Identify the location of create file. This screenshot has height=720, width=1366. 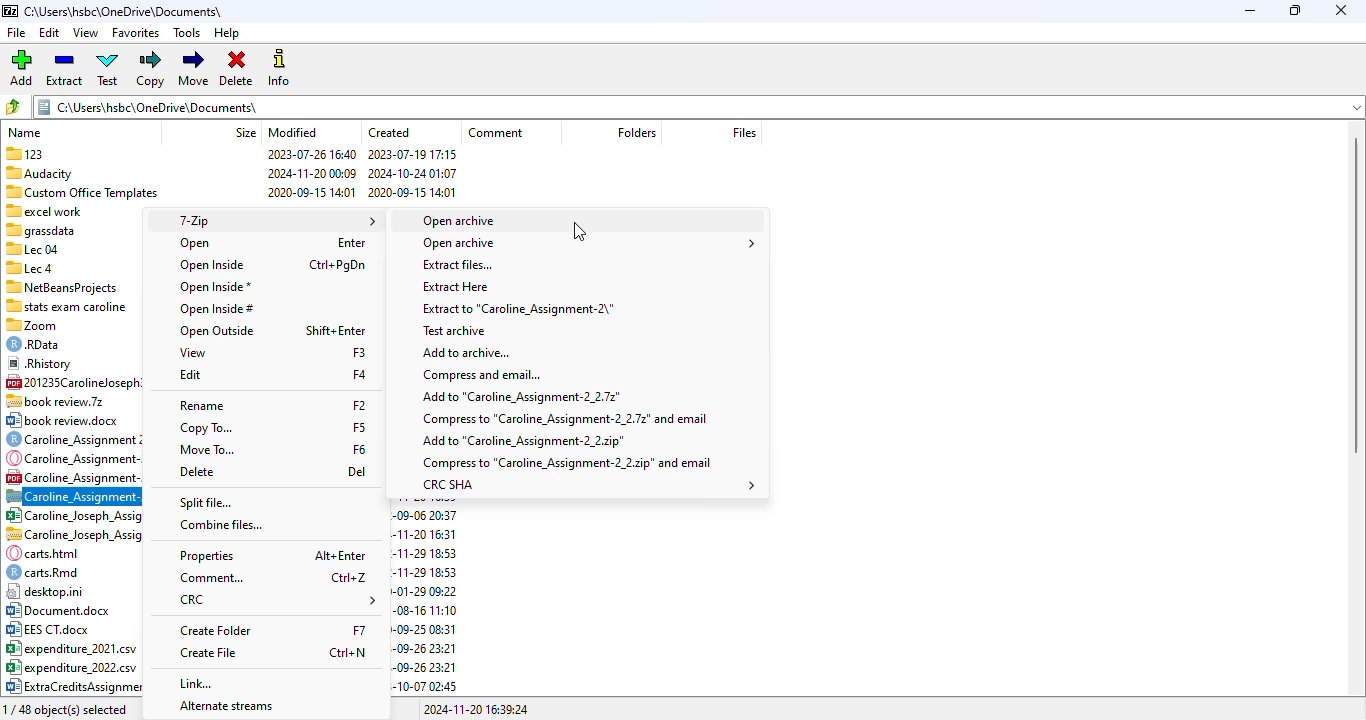
(209, 652).